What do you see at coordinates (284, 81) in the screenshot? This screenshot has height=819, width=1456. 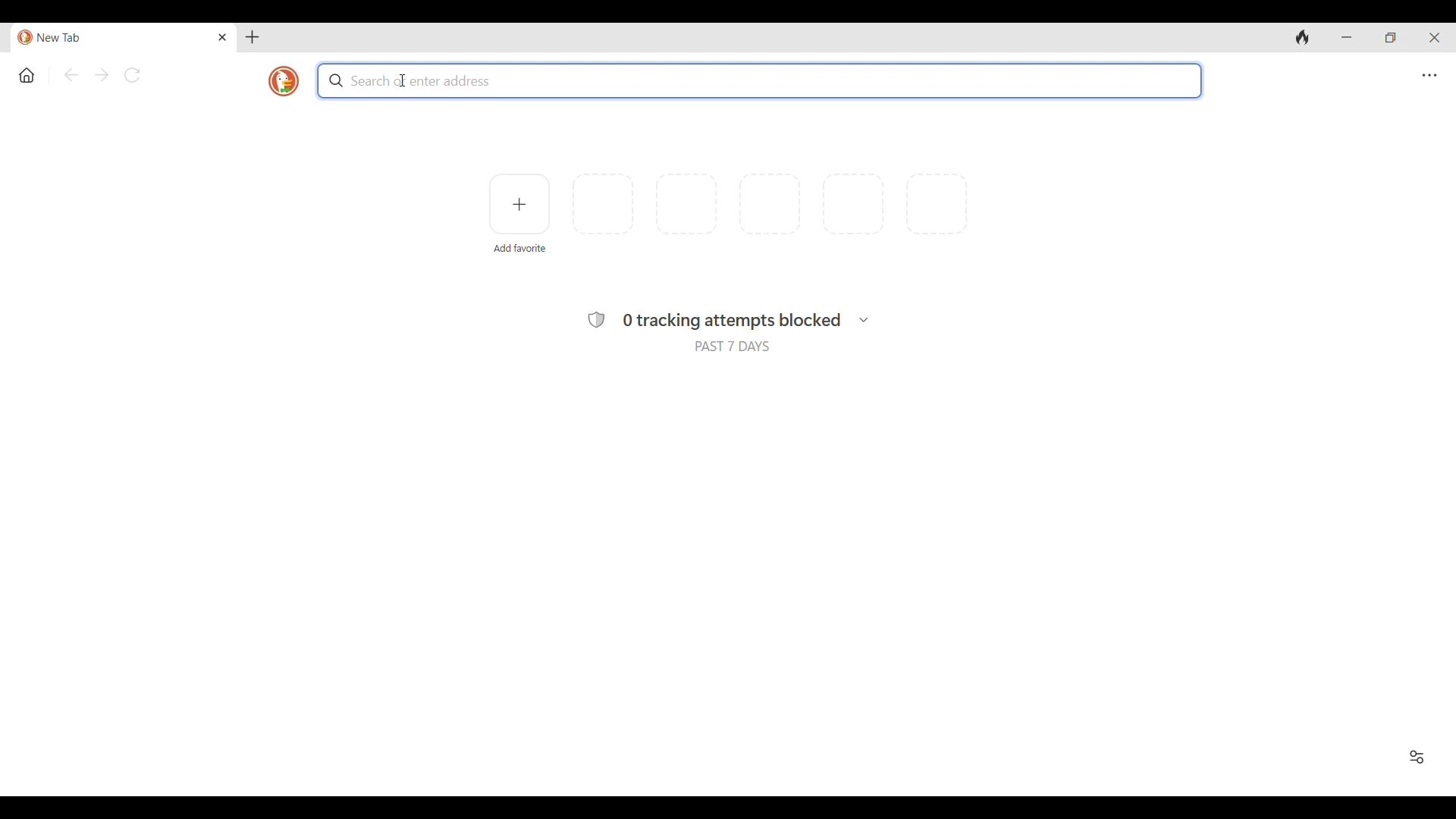 I see `Browser logo` at bounding box center [284, 81].